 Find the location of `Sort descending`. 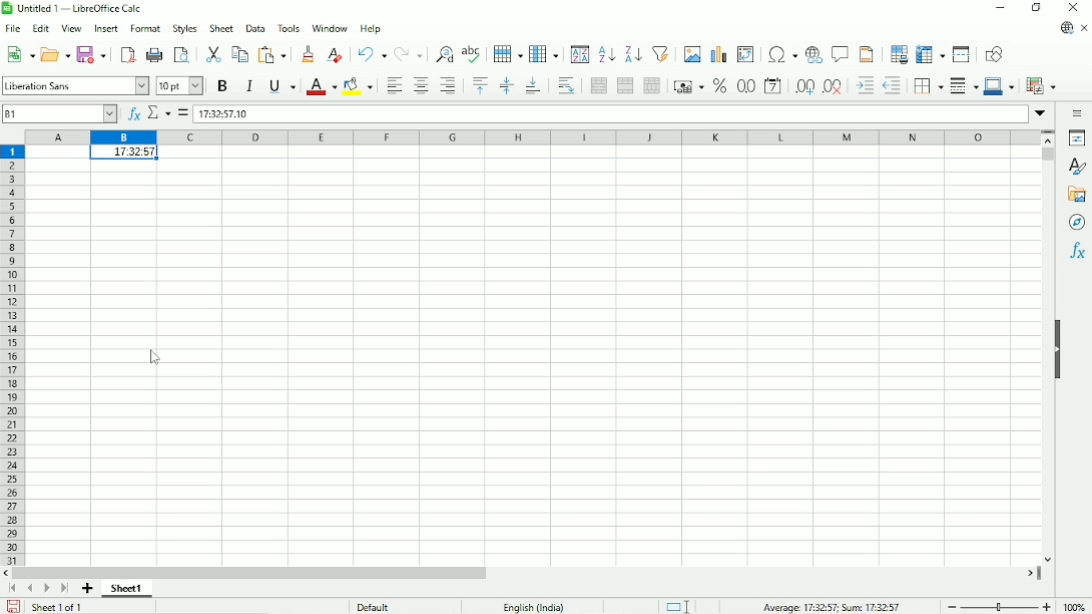

Sort descending is located at coordinates (632, 52).